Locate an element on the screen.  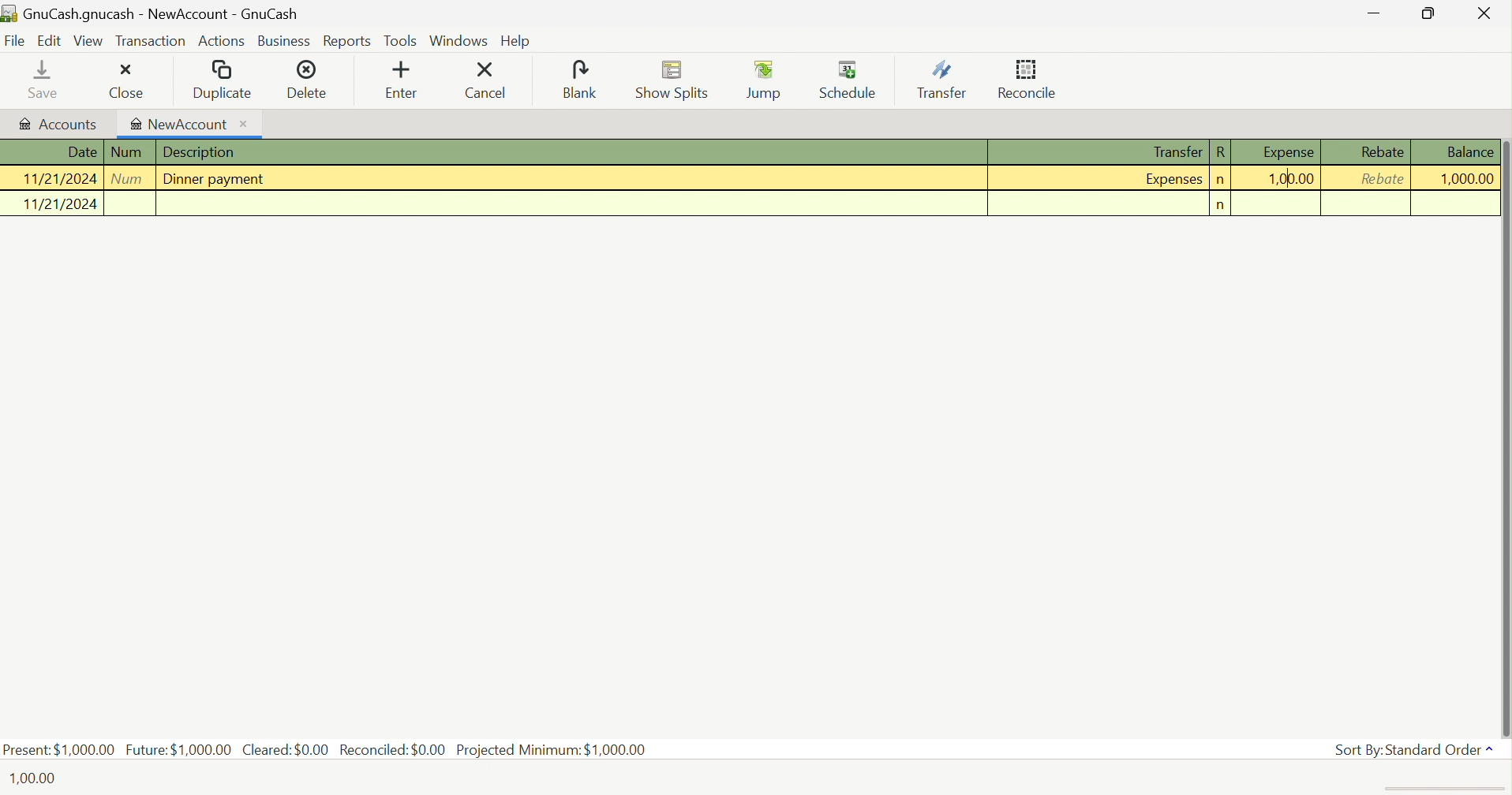
Present: $1,000.00 is located at coordinates (59, 749).